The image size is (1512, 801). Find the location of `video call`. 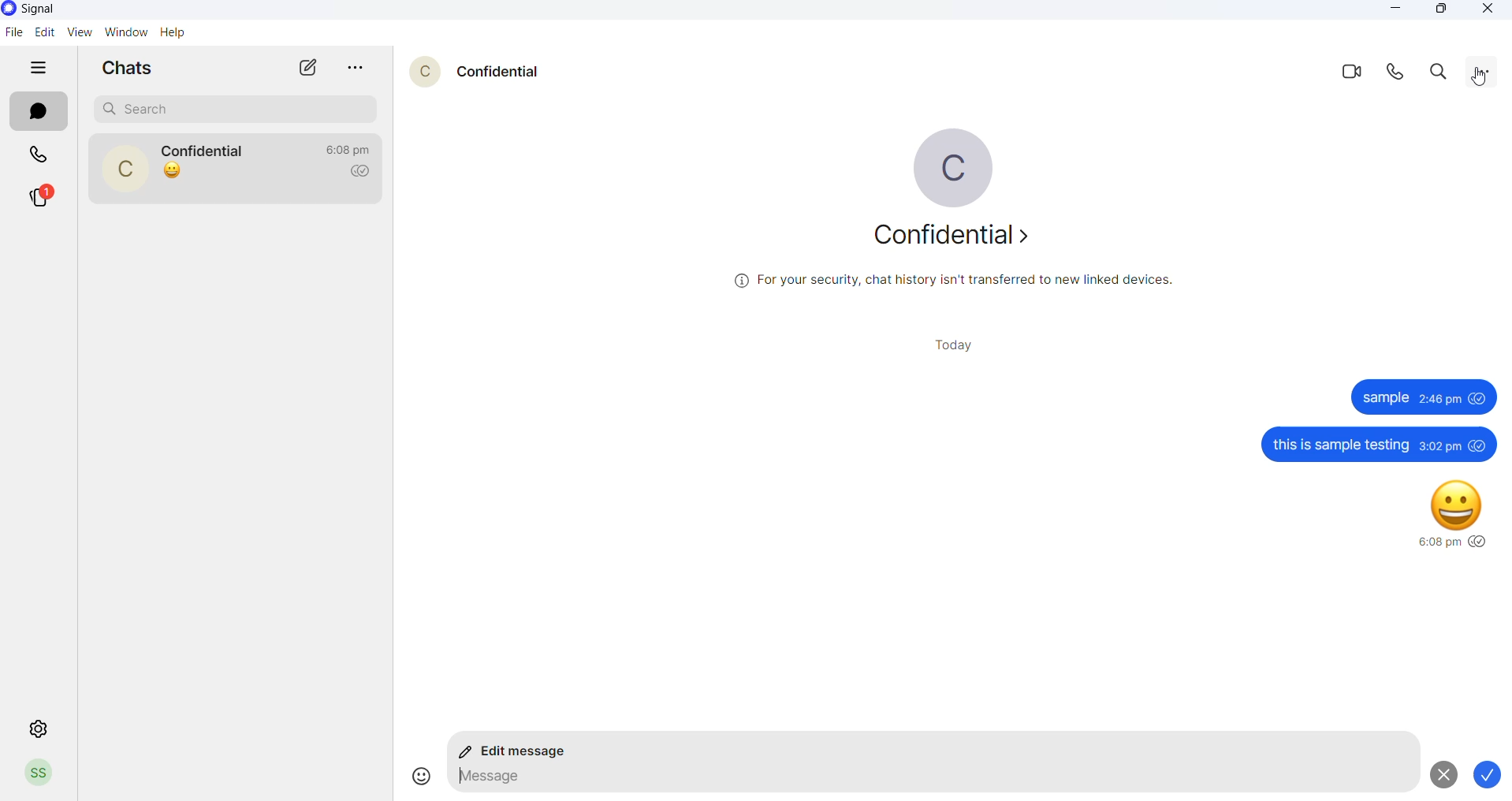

video call is located at coordinates (1343, 72).